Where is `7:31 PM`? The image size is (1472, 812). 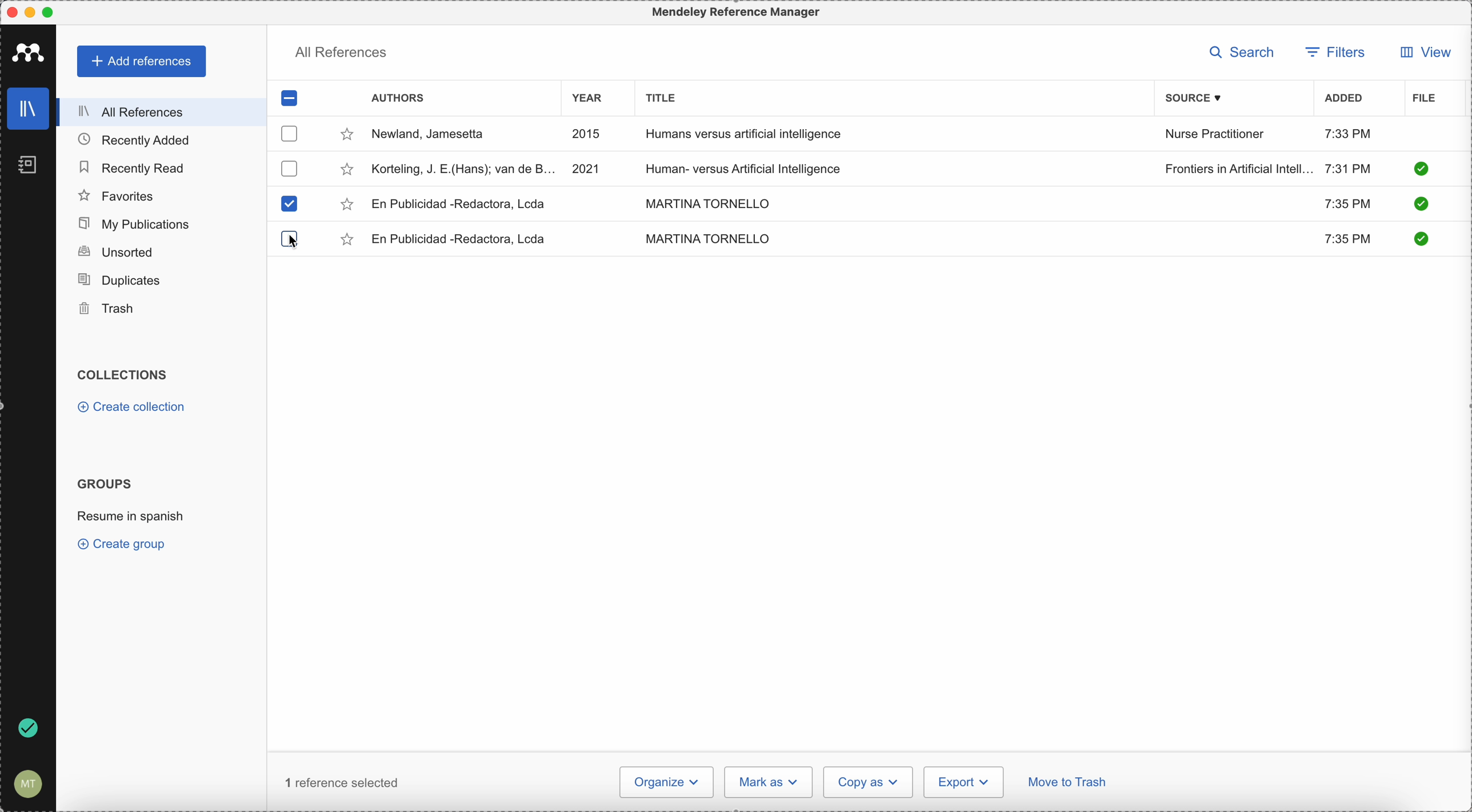 7:31 PM is located at coordinates (1348, 167).